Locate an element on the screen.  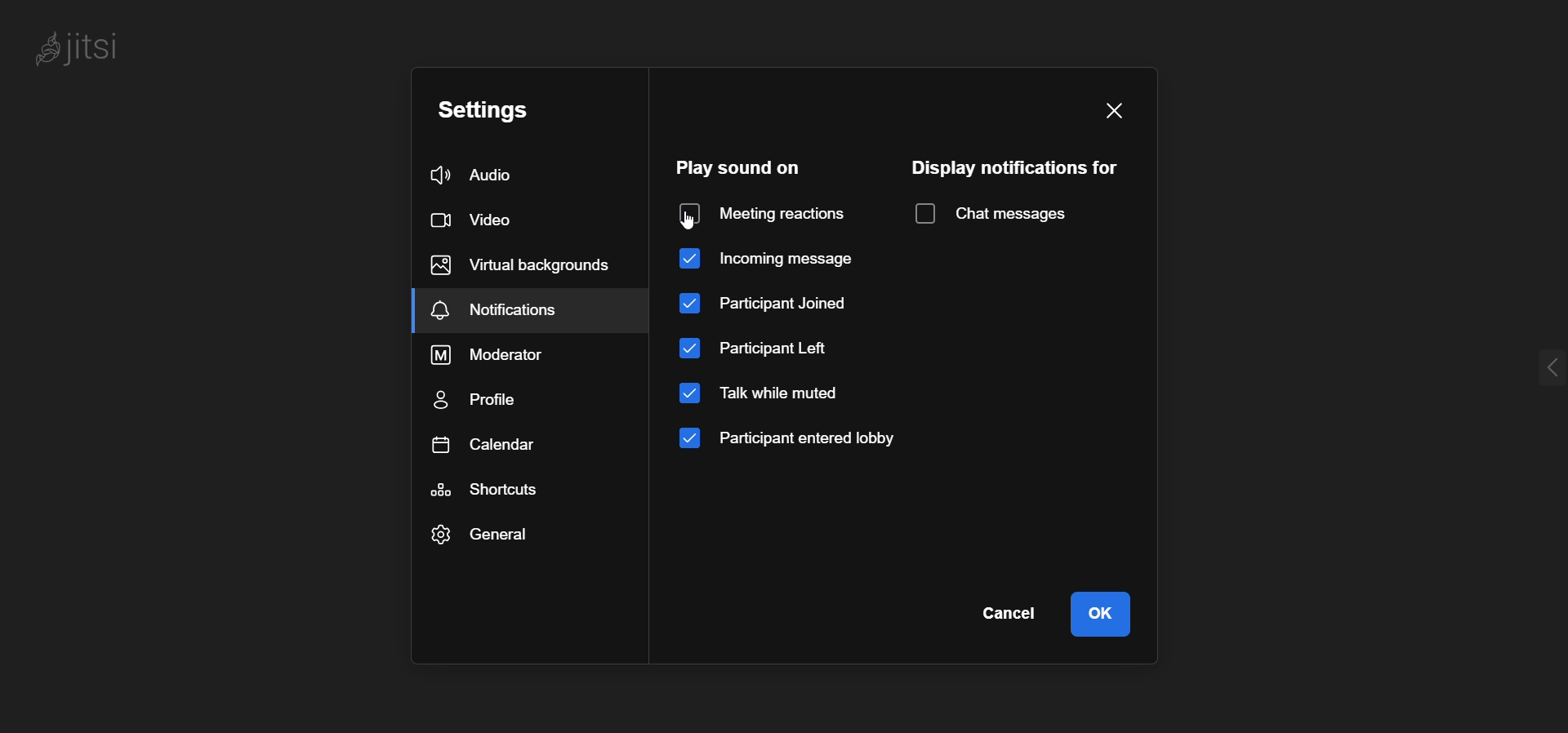
expand is located at coordinates (1544, 371).